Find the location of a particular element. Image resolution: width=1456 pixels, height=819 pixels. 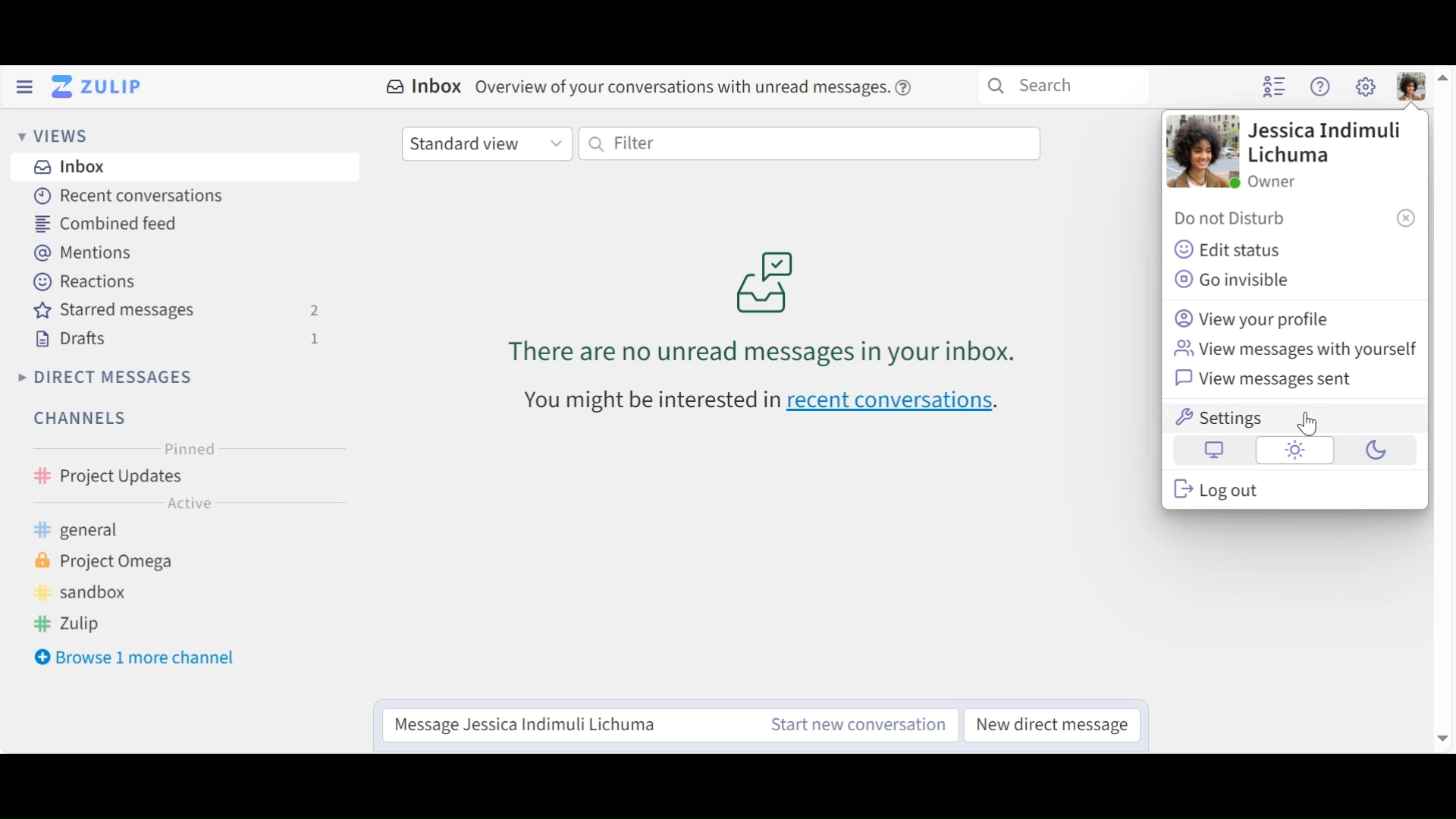

Start new conversation is located at coordinates (854, 726).